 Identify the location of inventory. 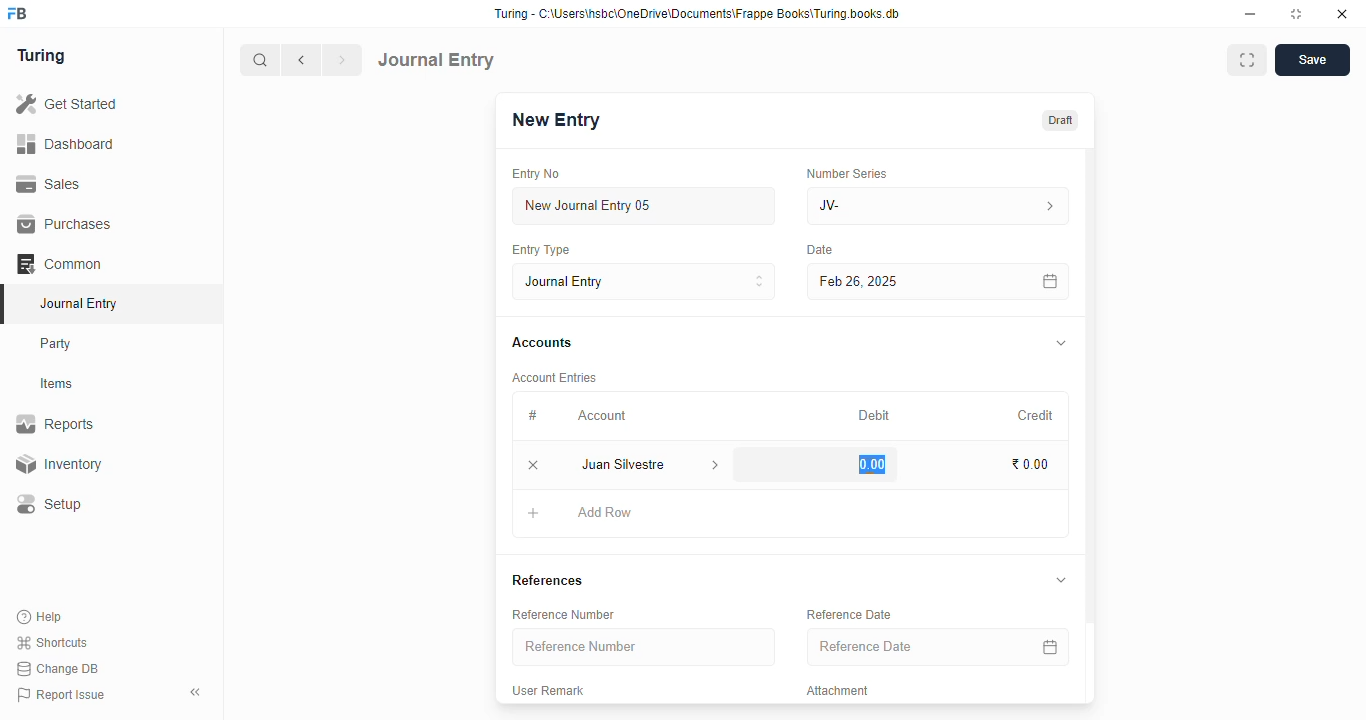
(58, 464).